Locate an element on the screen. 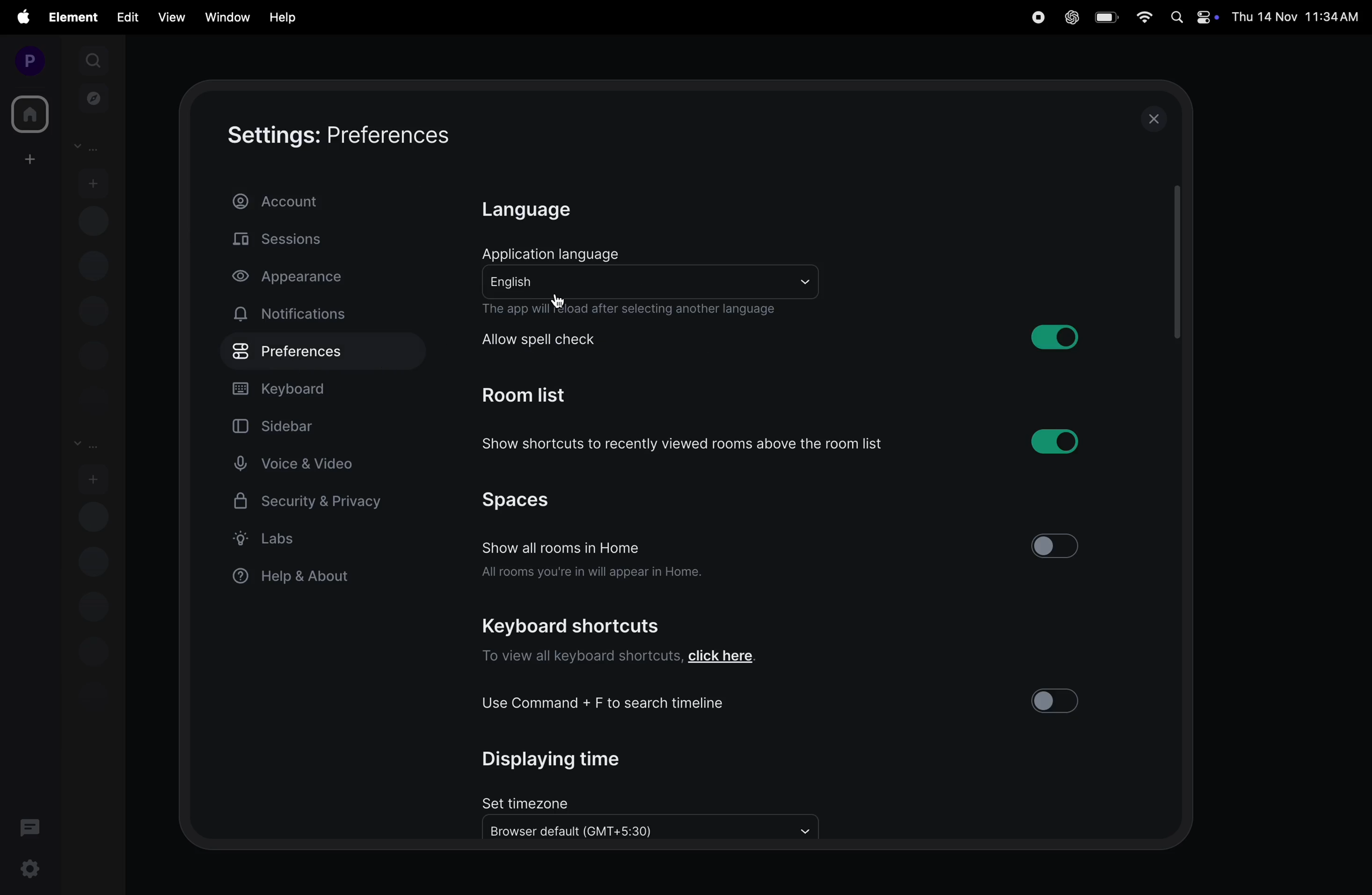 The width and height of the screenshot is (1372, 895). window is located at coordinates (223, 18).